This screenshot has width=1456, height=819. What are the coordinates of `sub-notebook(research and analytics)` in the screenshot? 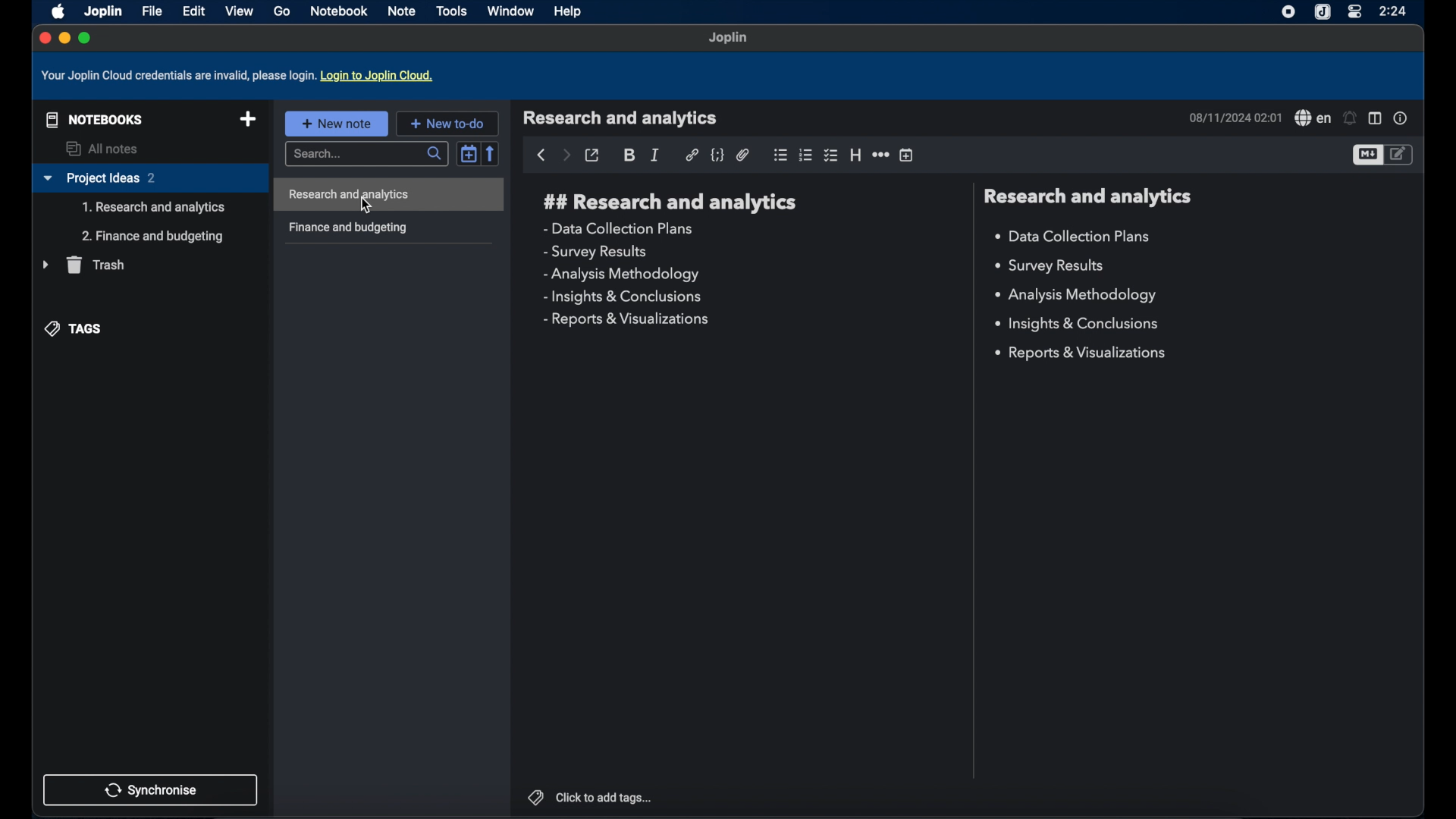 It's located at (154, 208).